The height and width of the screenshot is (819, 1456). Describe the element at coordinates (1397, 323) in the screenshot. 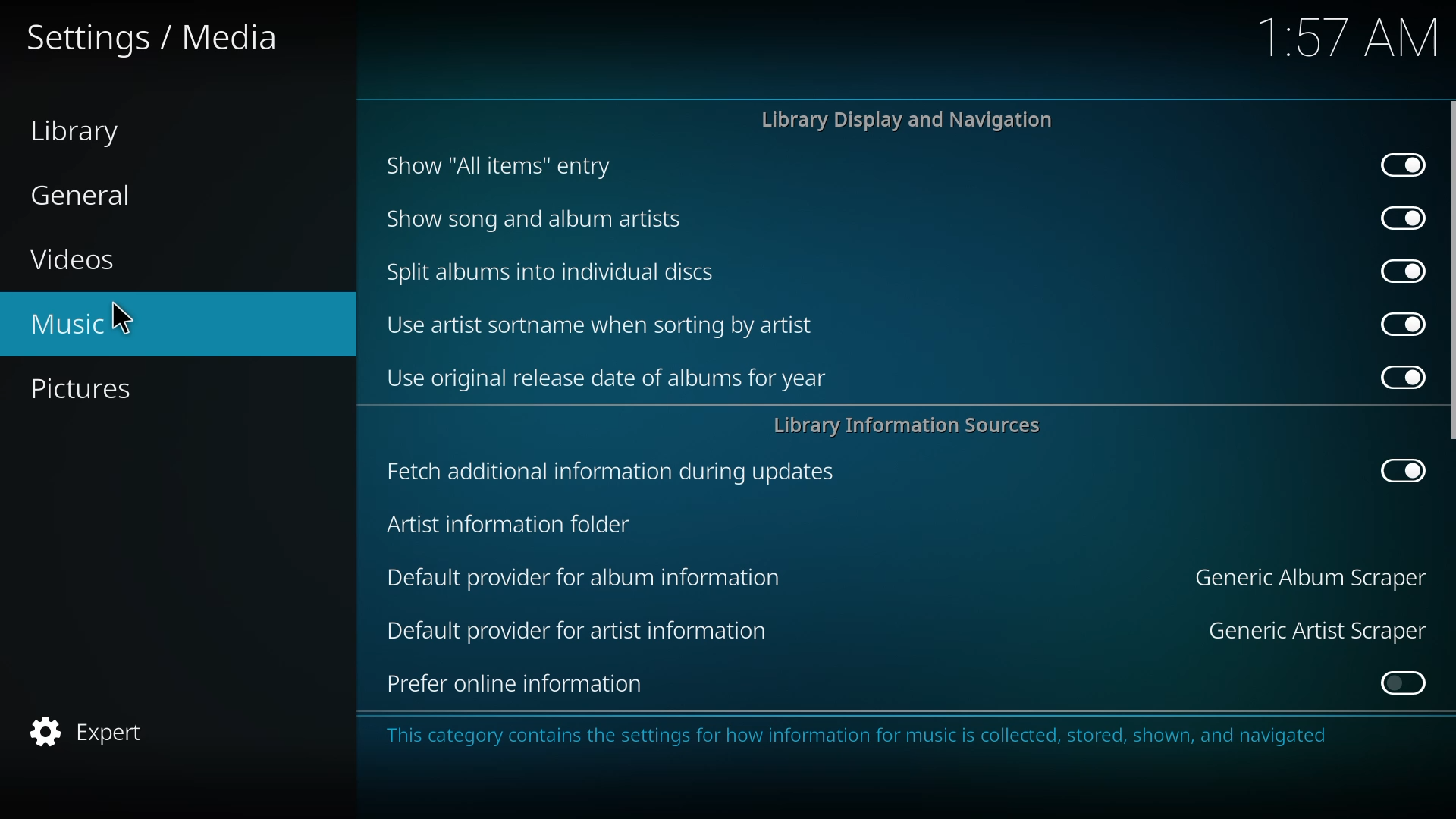

I see `enabled` at that location.